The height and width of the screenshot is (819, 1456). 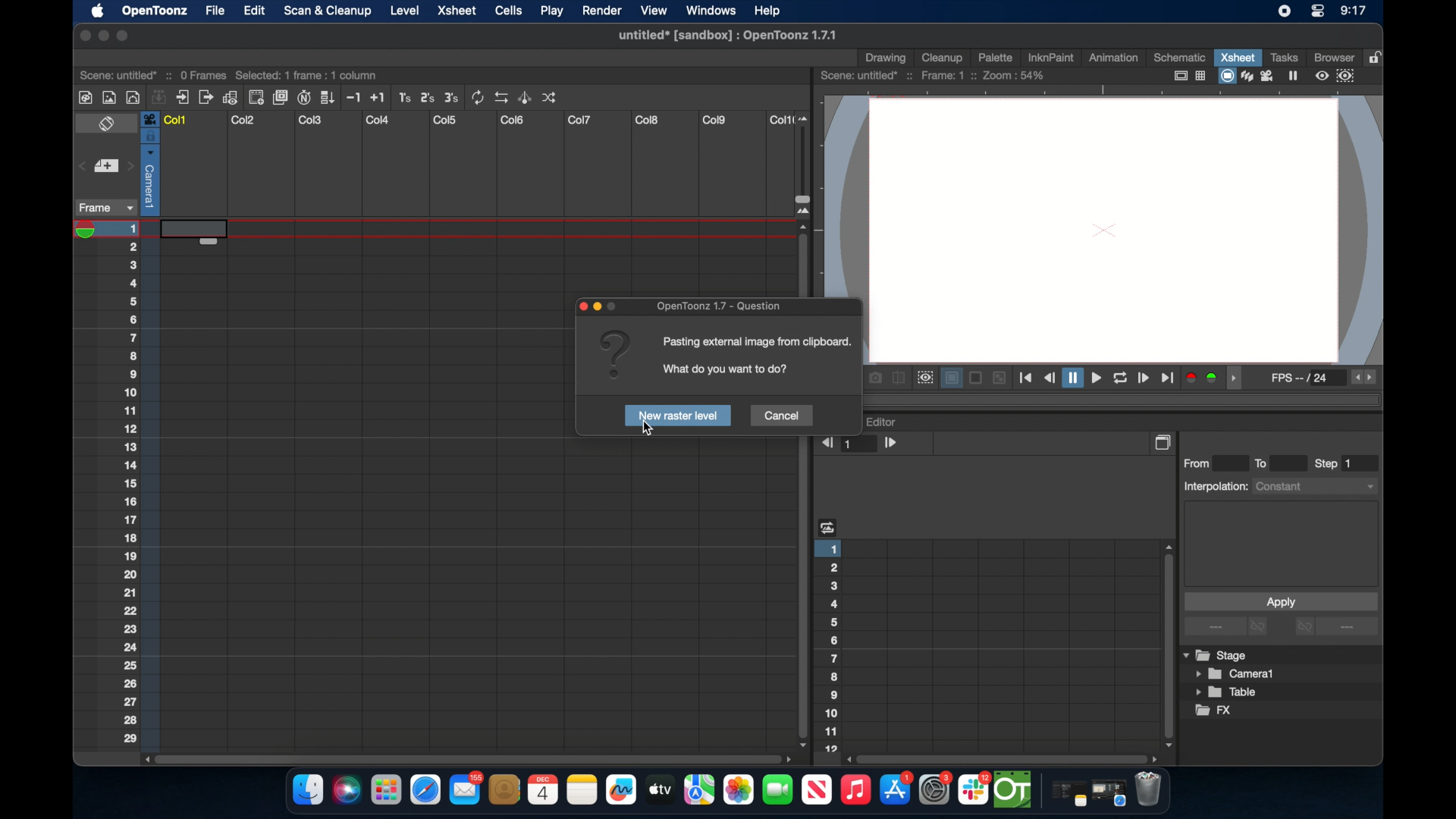 I want to click on notes, so click(x=1065, y=795).